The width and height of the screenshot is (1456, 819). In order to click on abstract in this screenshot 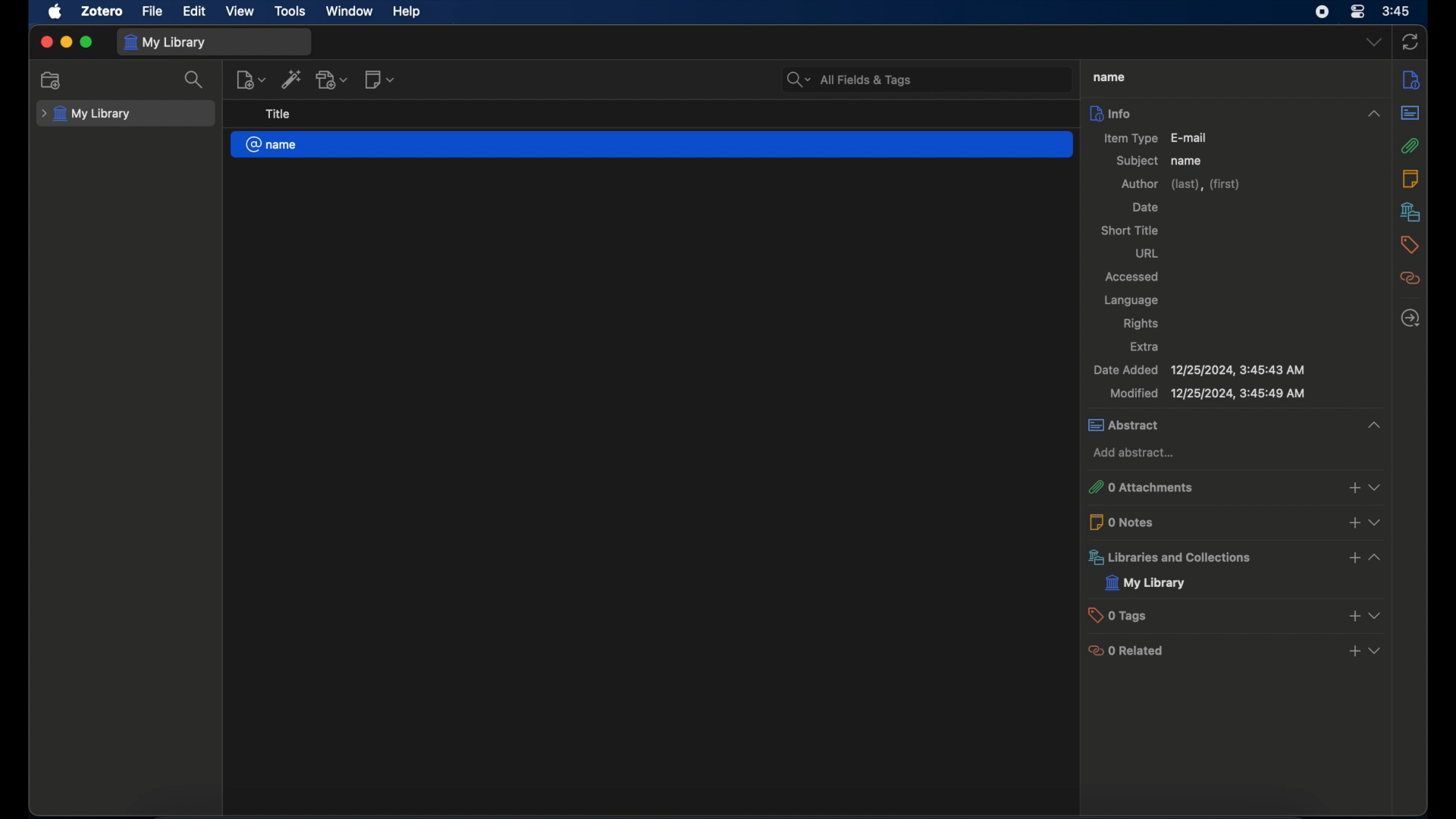, I will do `click(1410, 111)`.